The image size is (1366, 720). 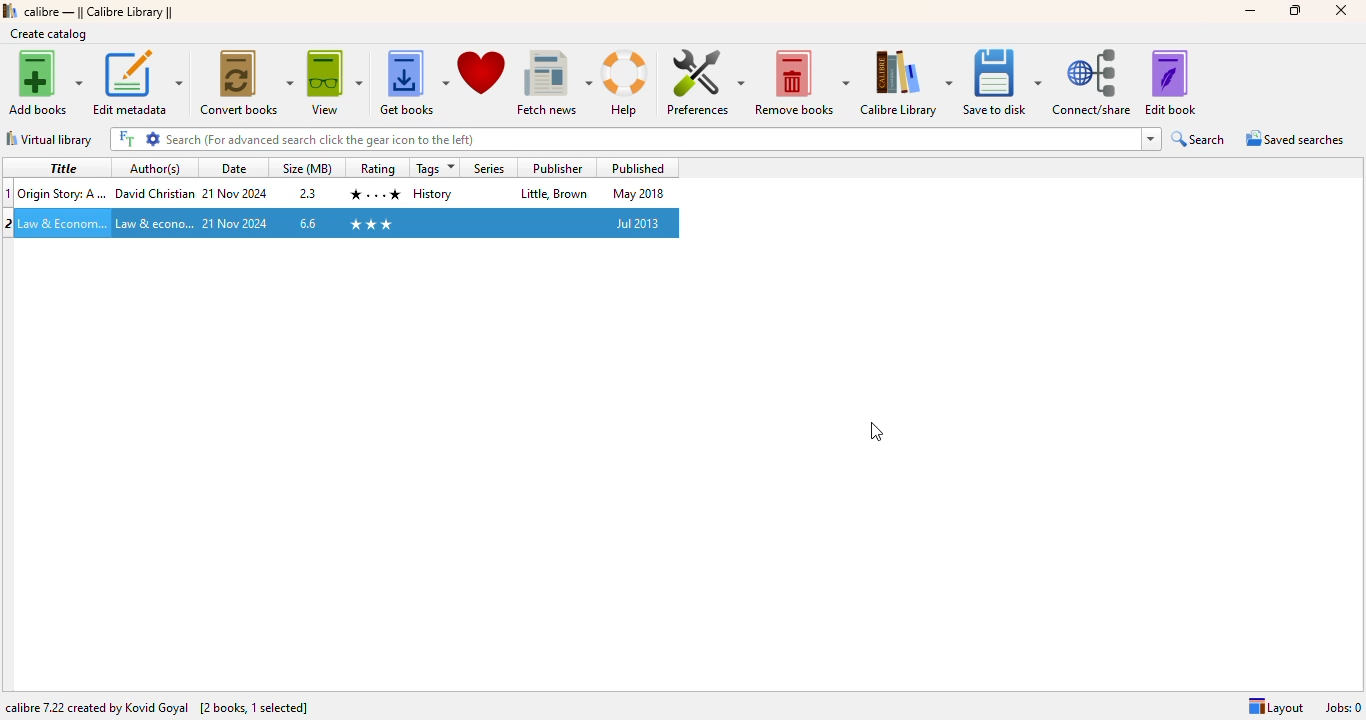 What do you see at coordinates (640, 167) in the screenshot?
I see `published` at bounding box center [640, 167].